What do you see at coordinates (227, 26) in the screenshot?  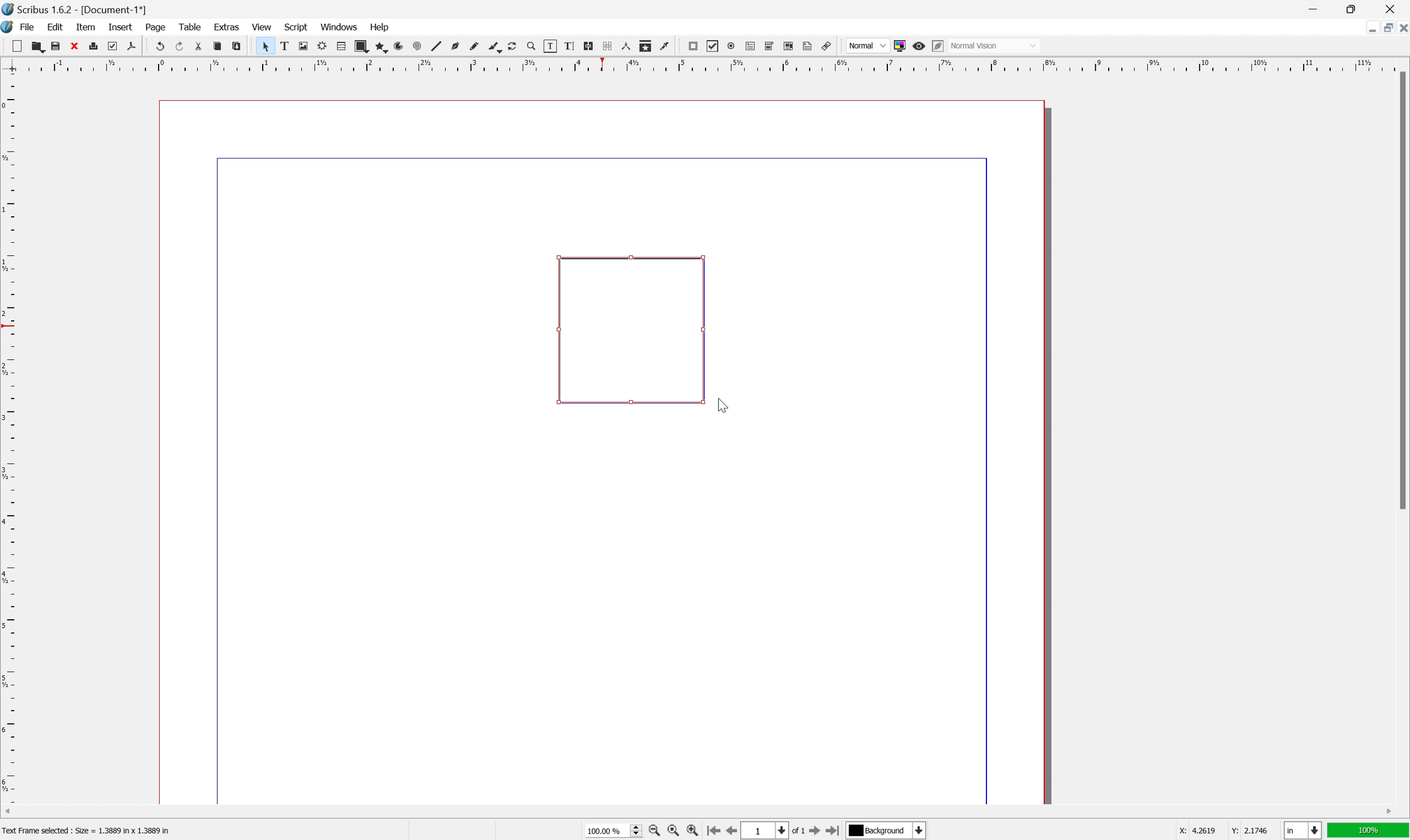 I see `extras` at bounding box center [227, 26].